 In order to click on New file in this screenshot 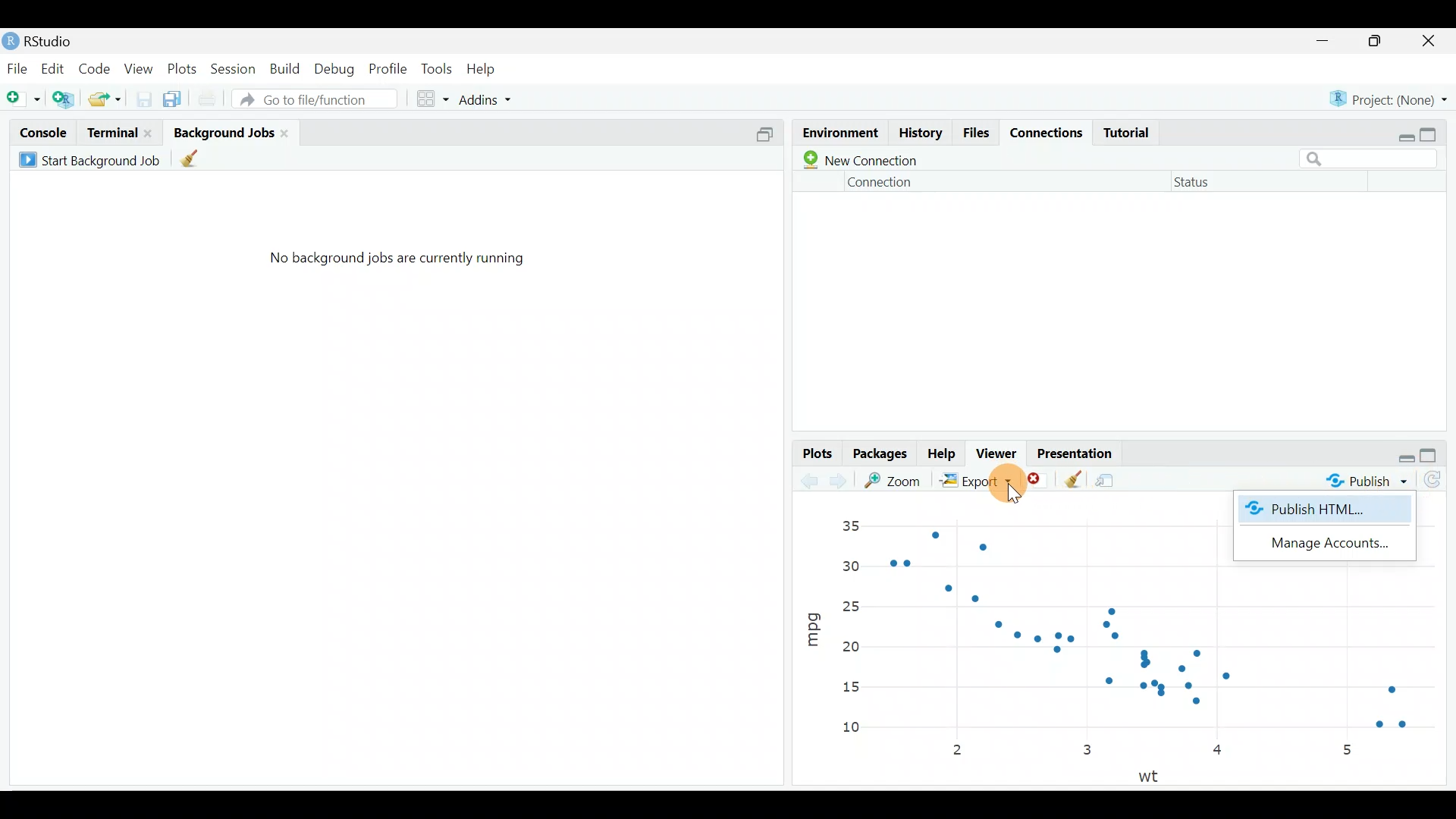, I will do `click(24, 96)`.